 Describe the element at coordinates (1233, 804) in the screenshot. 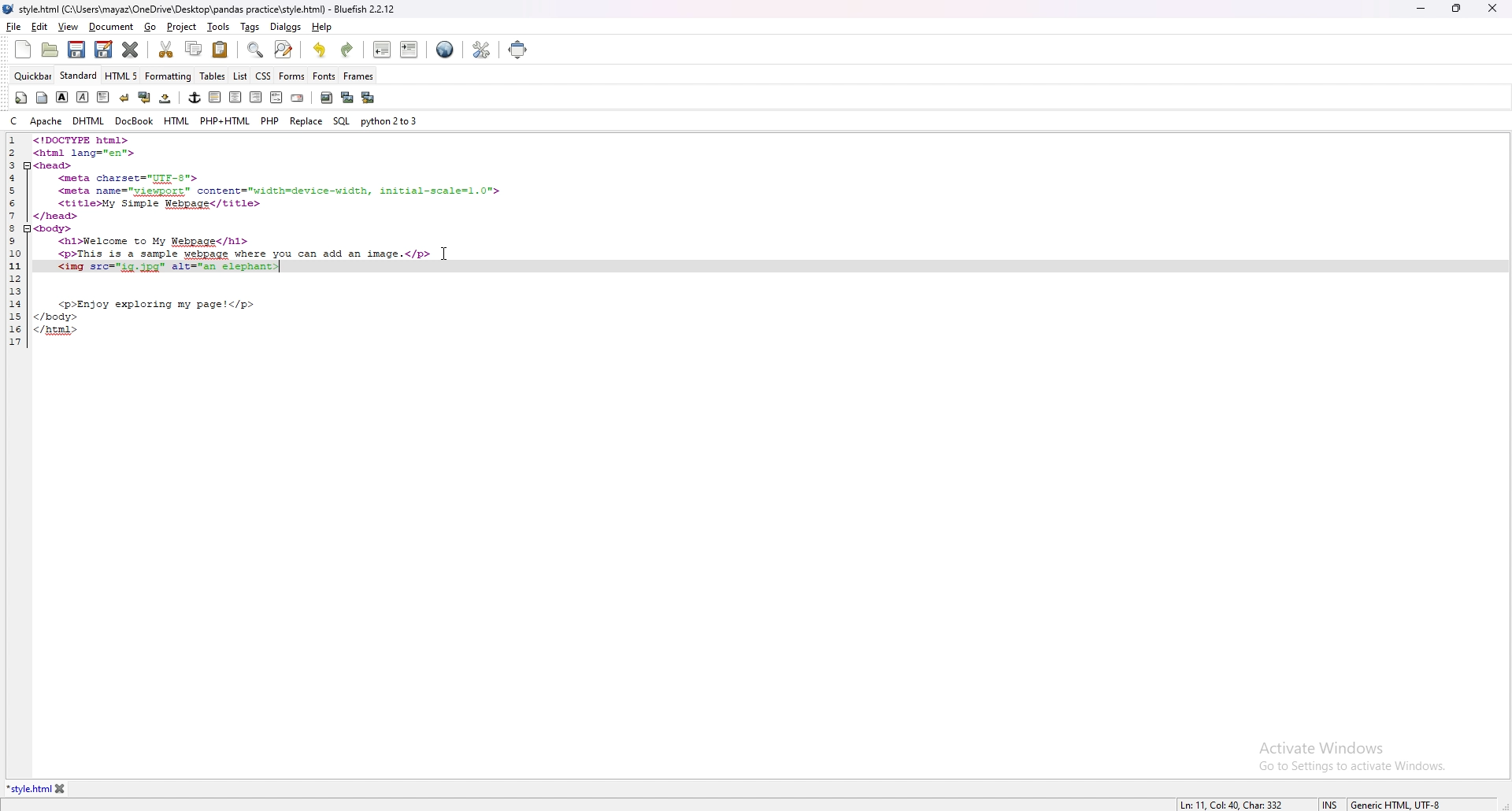

I see `Ln: 11 Col: 40 Char: 232` at that location.